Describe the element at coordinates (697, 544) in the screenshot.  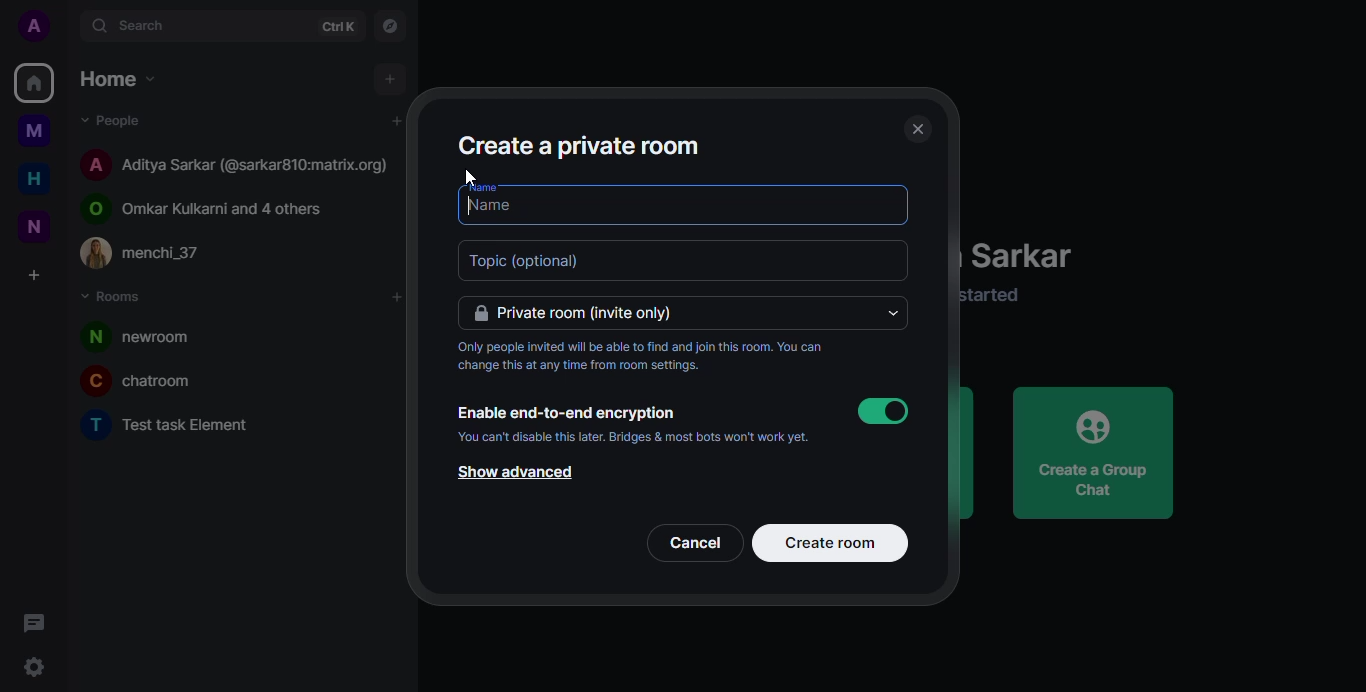
I see `cancel` at that location.